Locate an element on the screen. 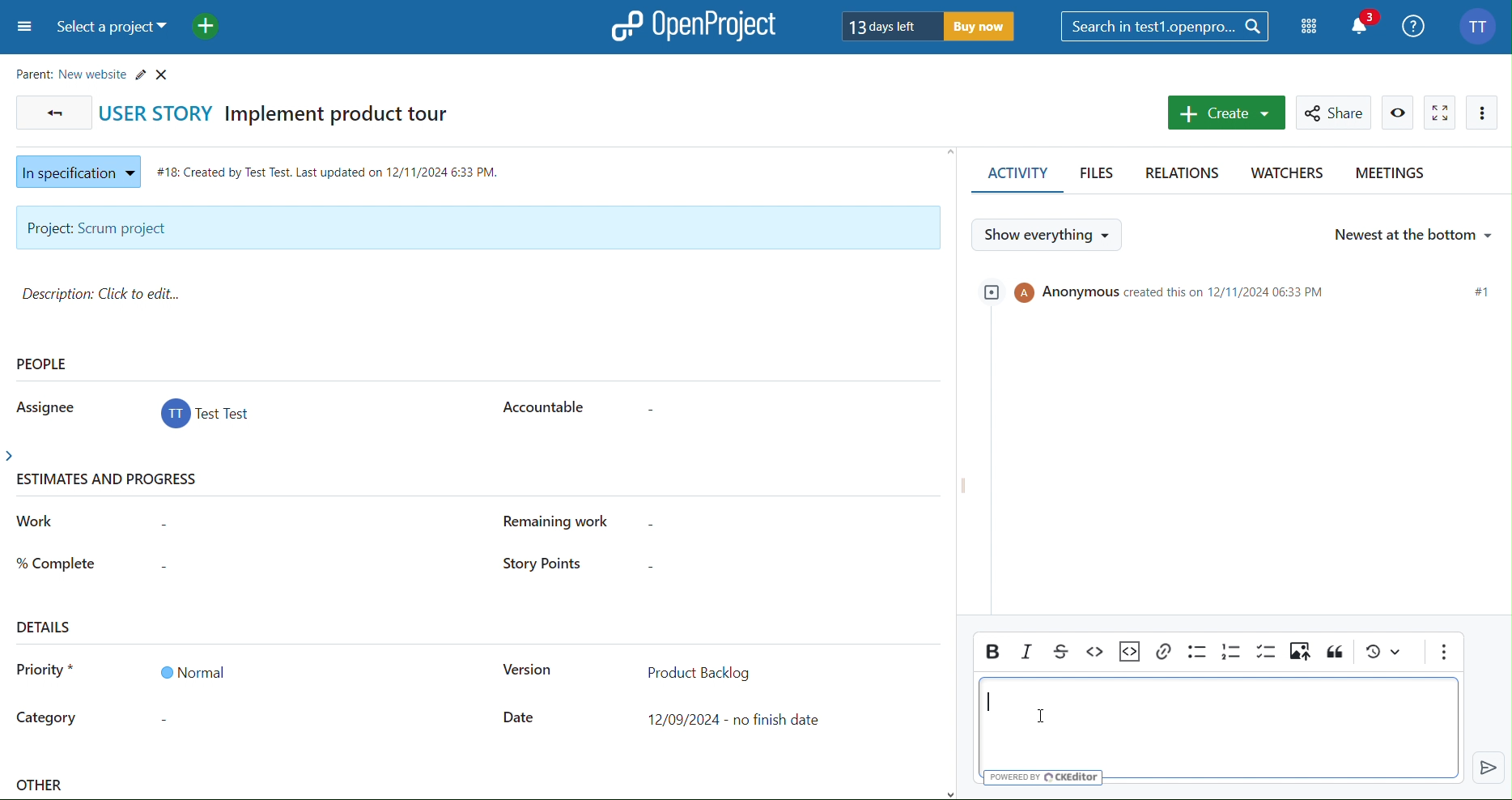 This screenshot has height=800, width=1512. Accountable is located at coordinates (541, 405).